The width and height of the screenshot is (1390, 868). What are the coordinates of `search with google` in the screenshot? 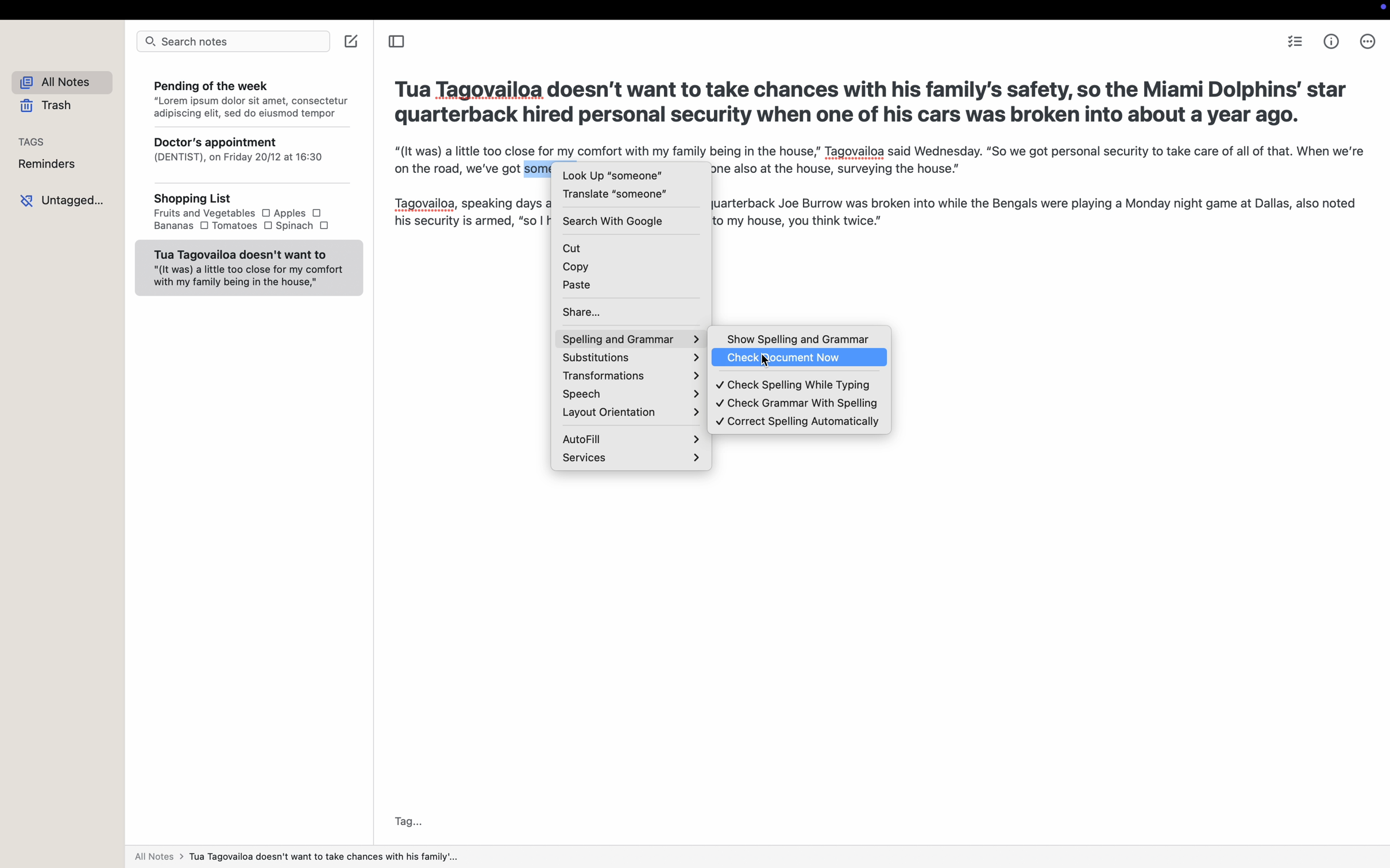 It's located at (613, 220).